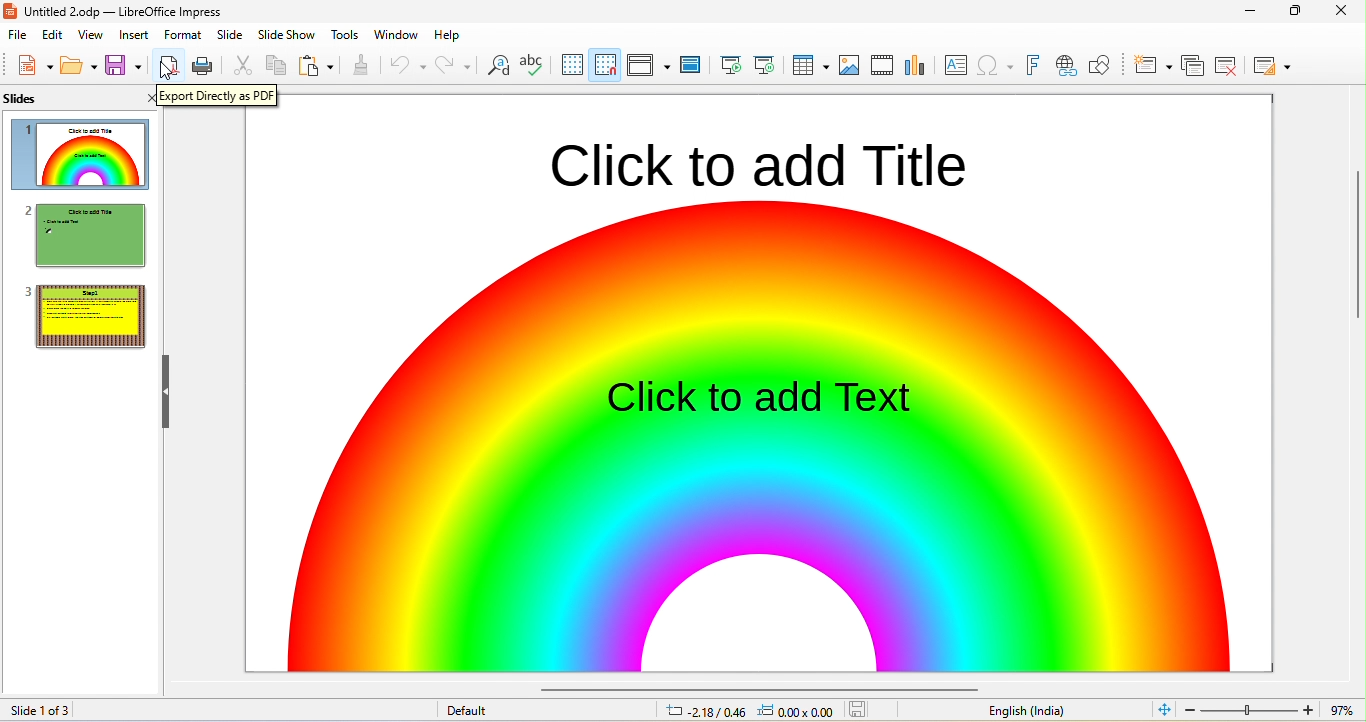 This screenshot has height=722, width=1366. I want to click on english, so click(1029, 711).